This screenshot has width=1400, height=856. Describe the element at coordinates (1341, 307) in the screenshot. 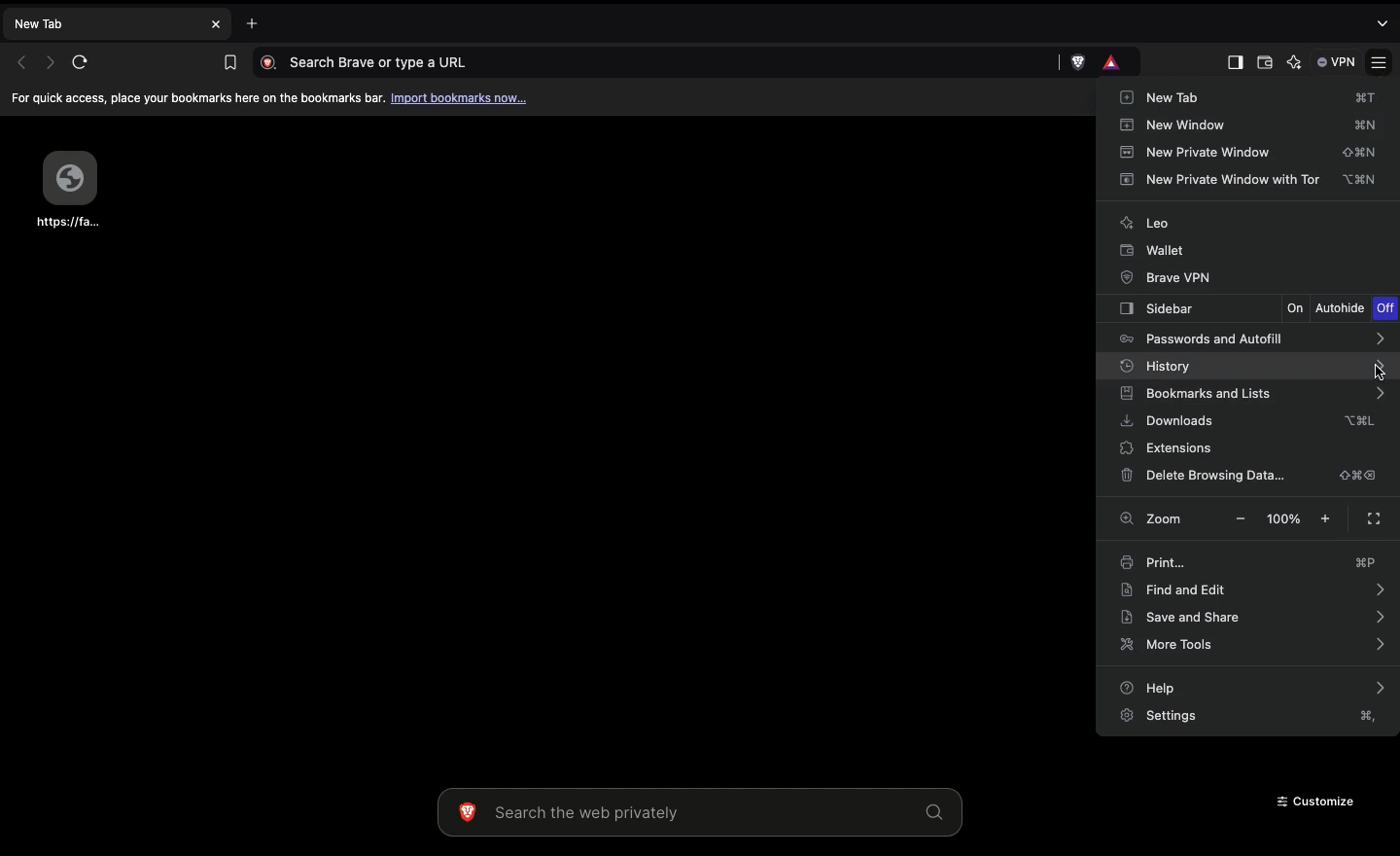

I see `Autohide` at that location.